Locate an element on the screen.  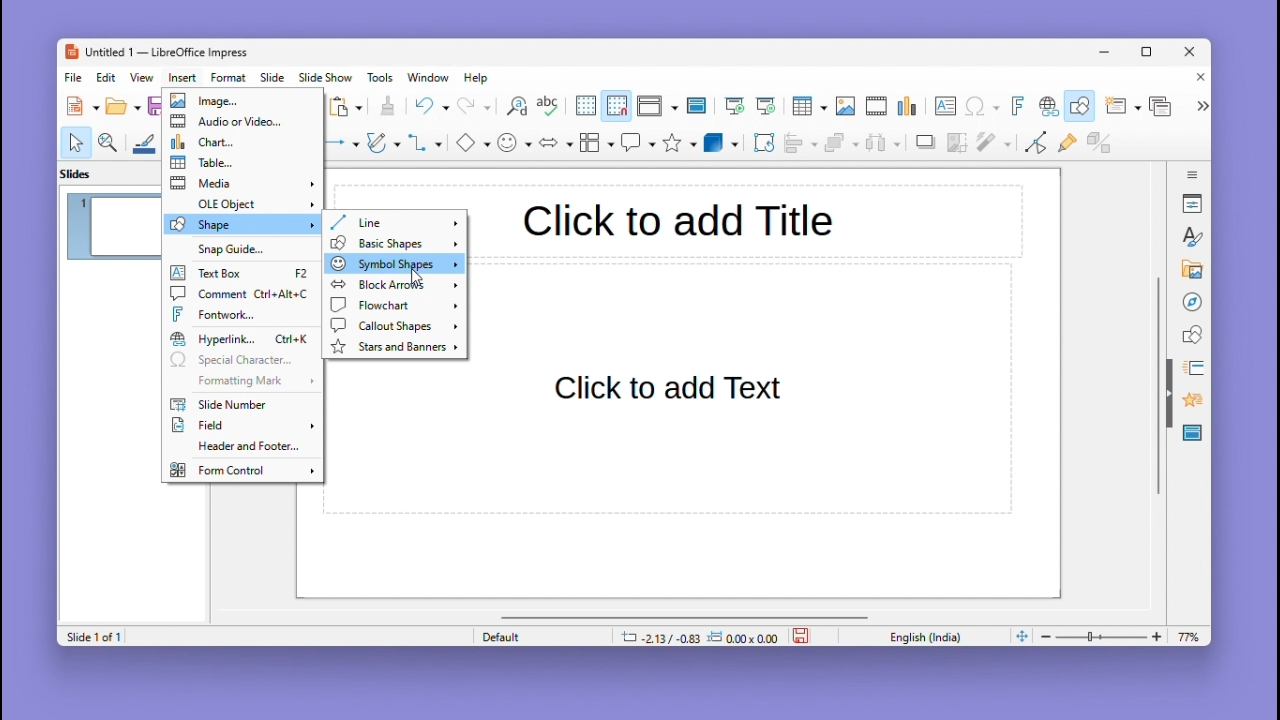
Diamond is located at coordinates (472, 143).